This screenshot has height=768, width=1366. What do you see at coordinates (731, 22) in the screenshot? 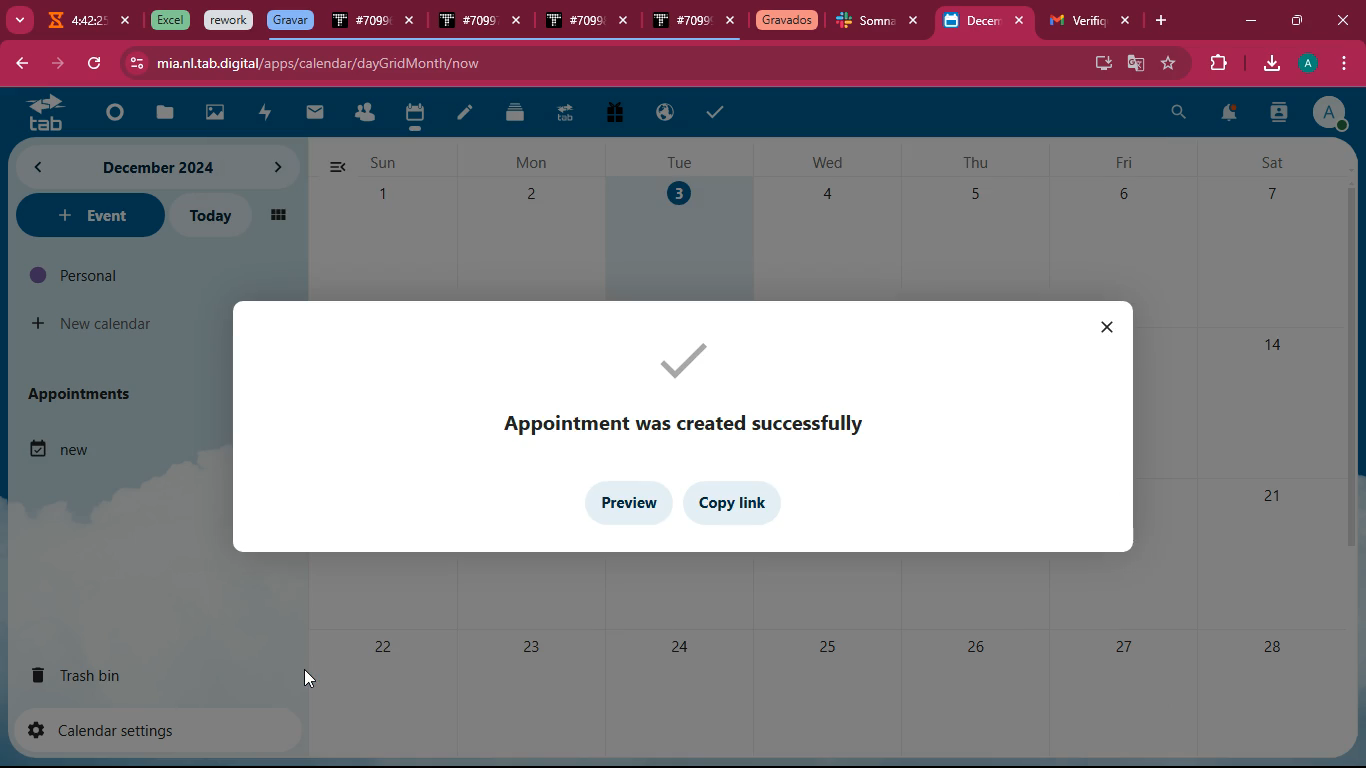
I see `close` at bounding box center [731, 22].